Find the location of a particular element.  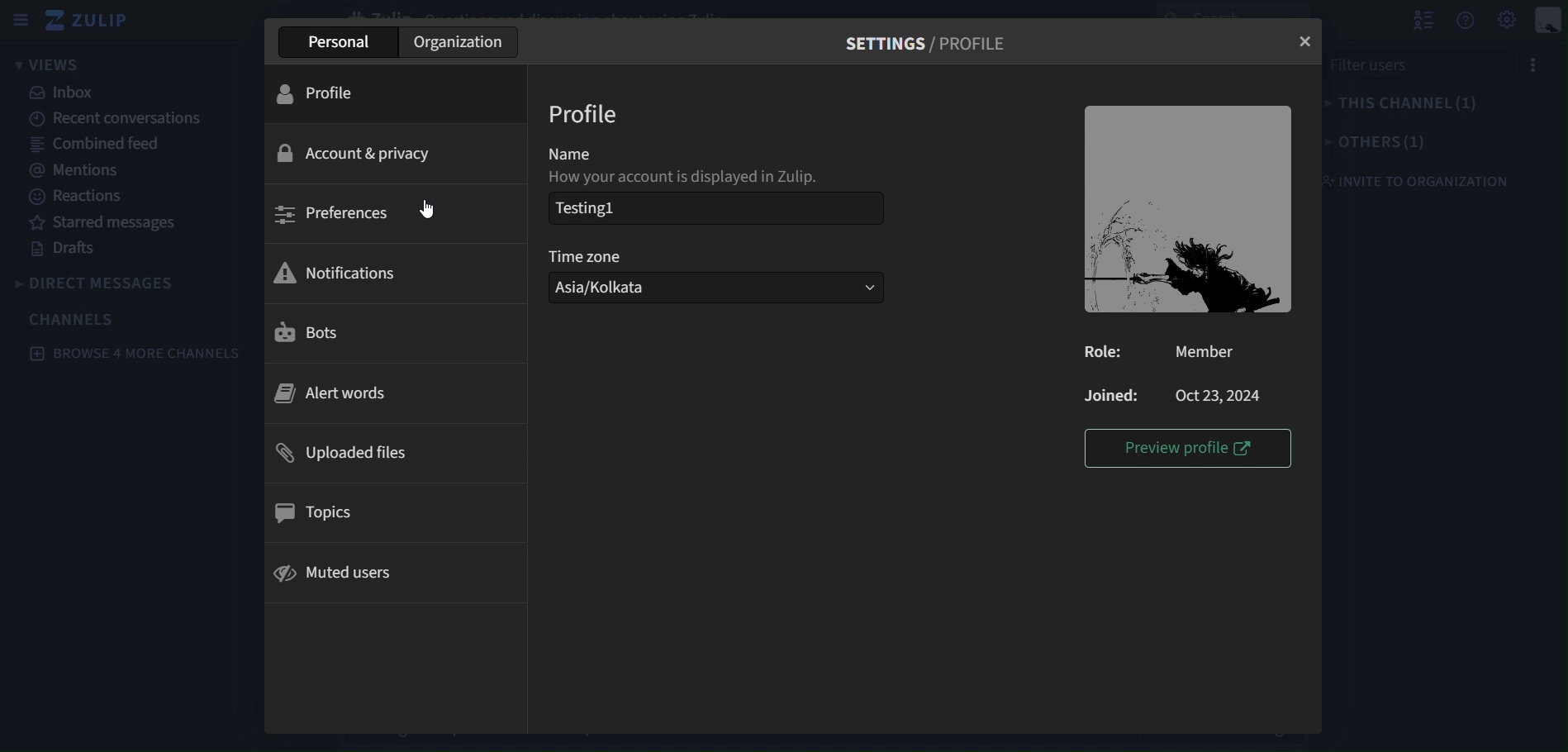

preview profile is located at coordinates (1185, 447).